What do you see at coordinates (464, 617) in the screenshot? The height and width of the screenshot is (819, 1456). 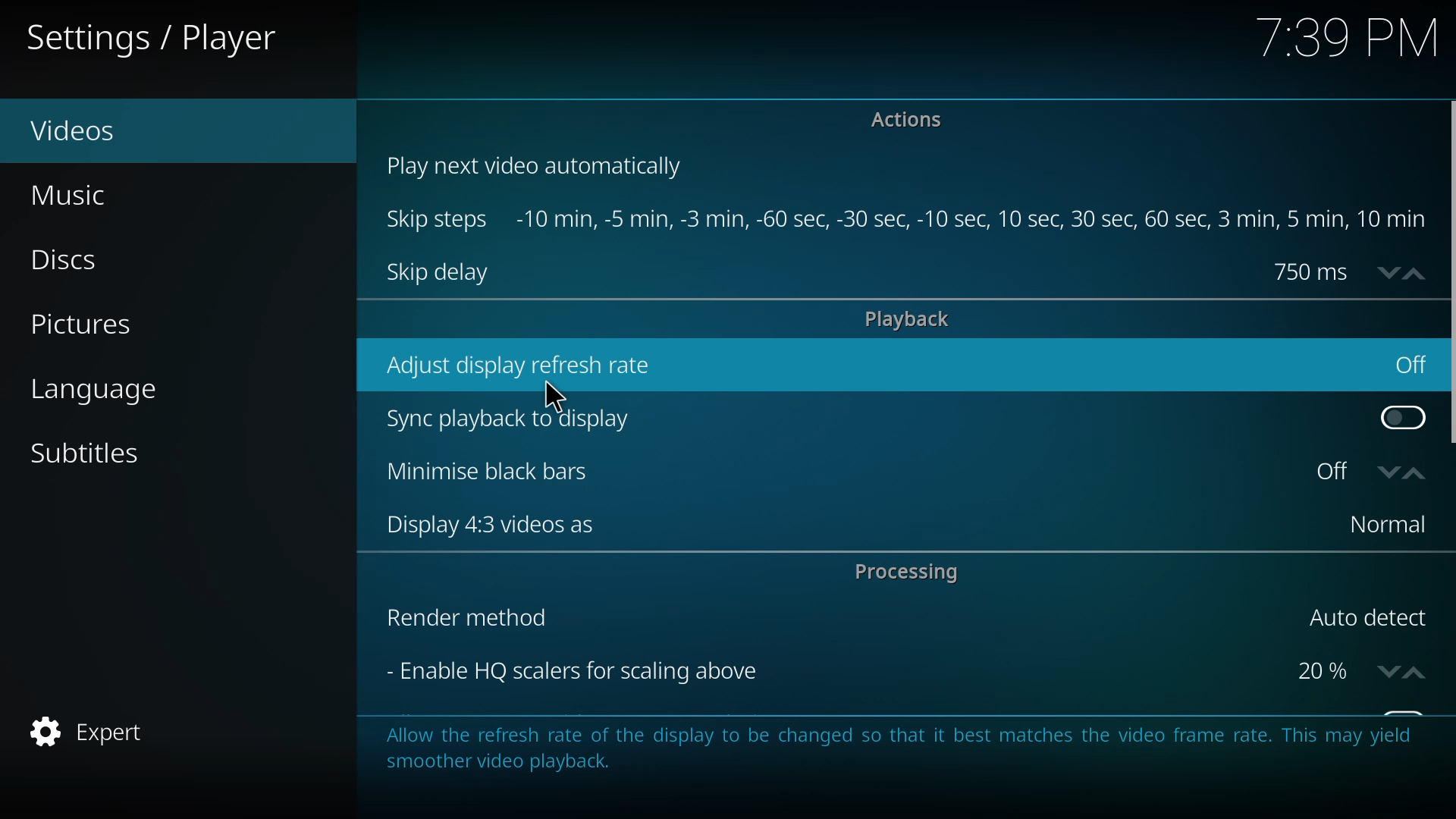 I see `render method` at bounding box center [464, 617].